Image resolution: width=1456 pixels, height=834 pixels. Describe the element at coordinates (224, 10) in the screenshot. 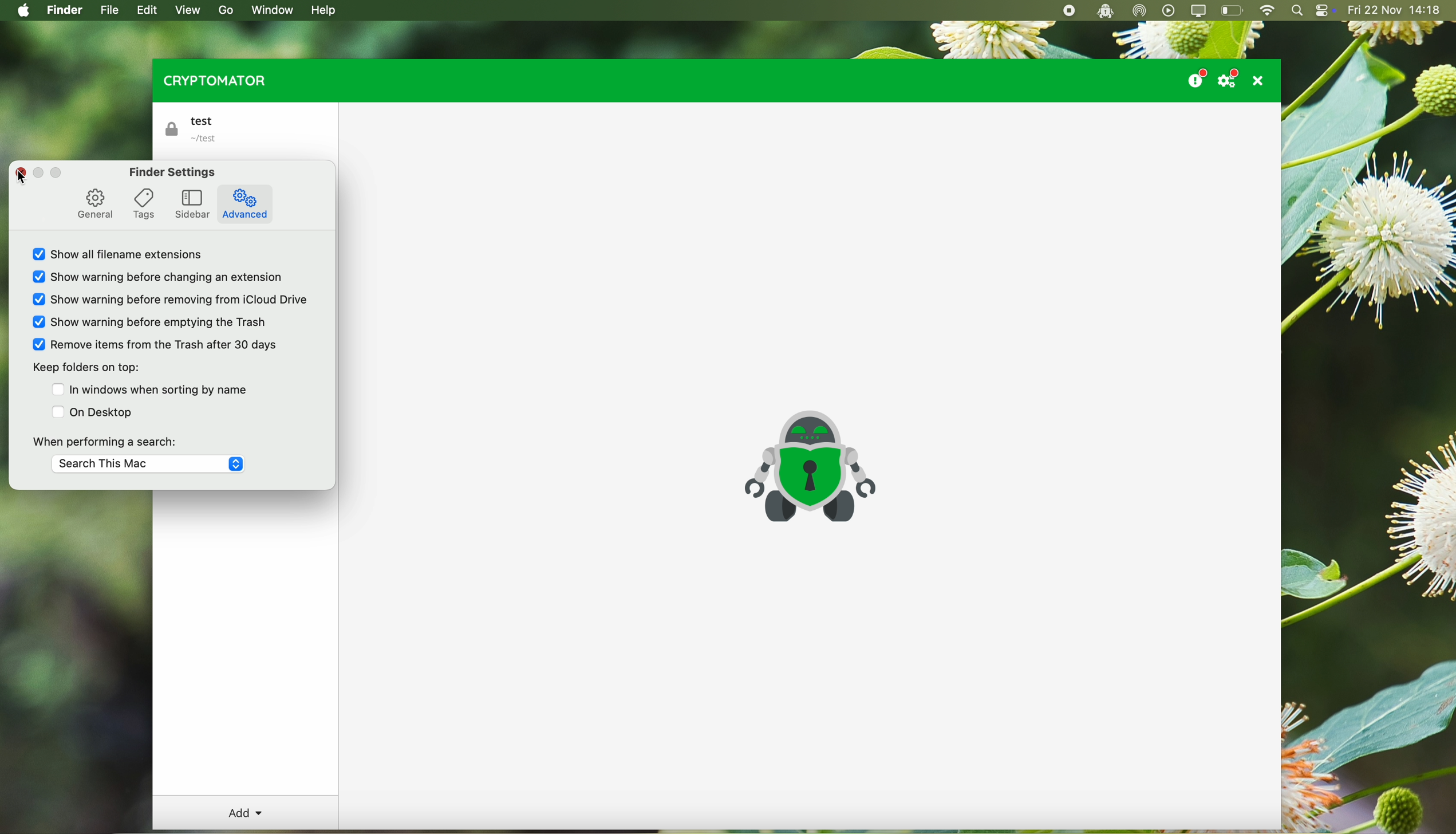

I see `go` at that location.